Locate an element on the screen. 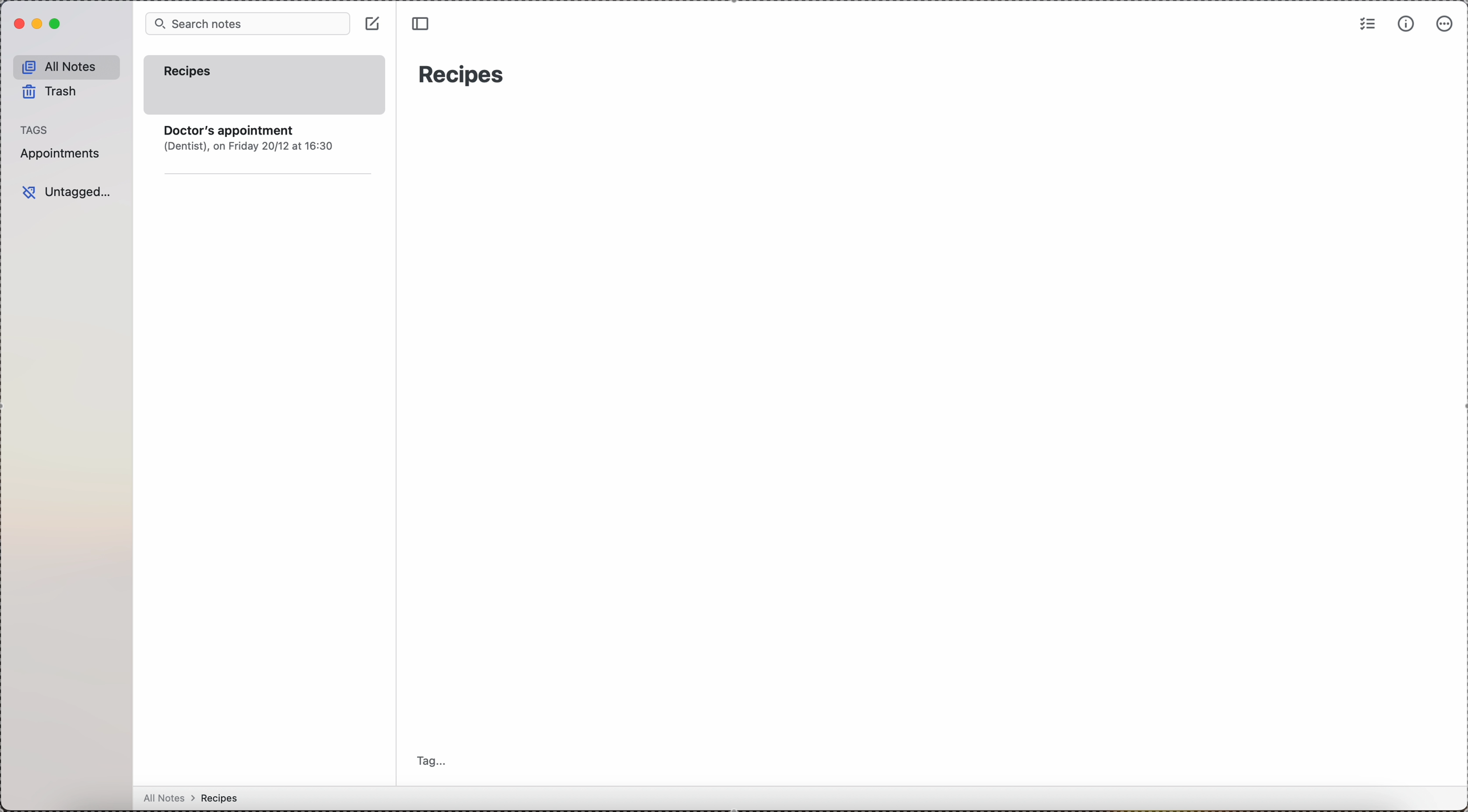  toggle sidebar is located at coordinates (419, 22).